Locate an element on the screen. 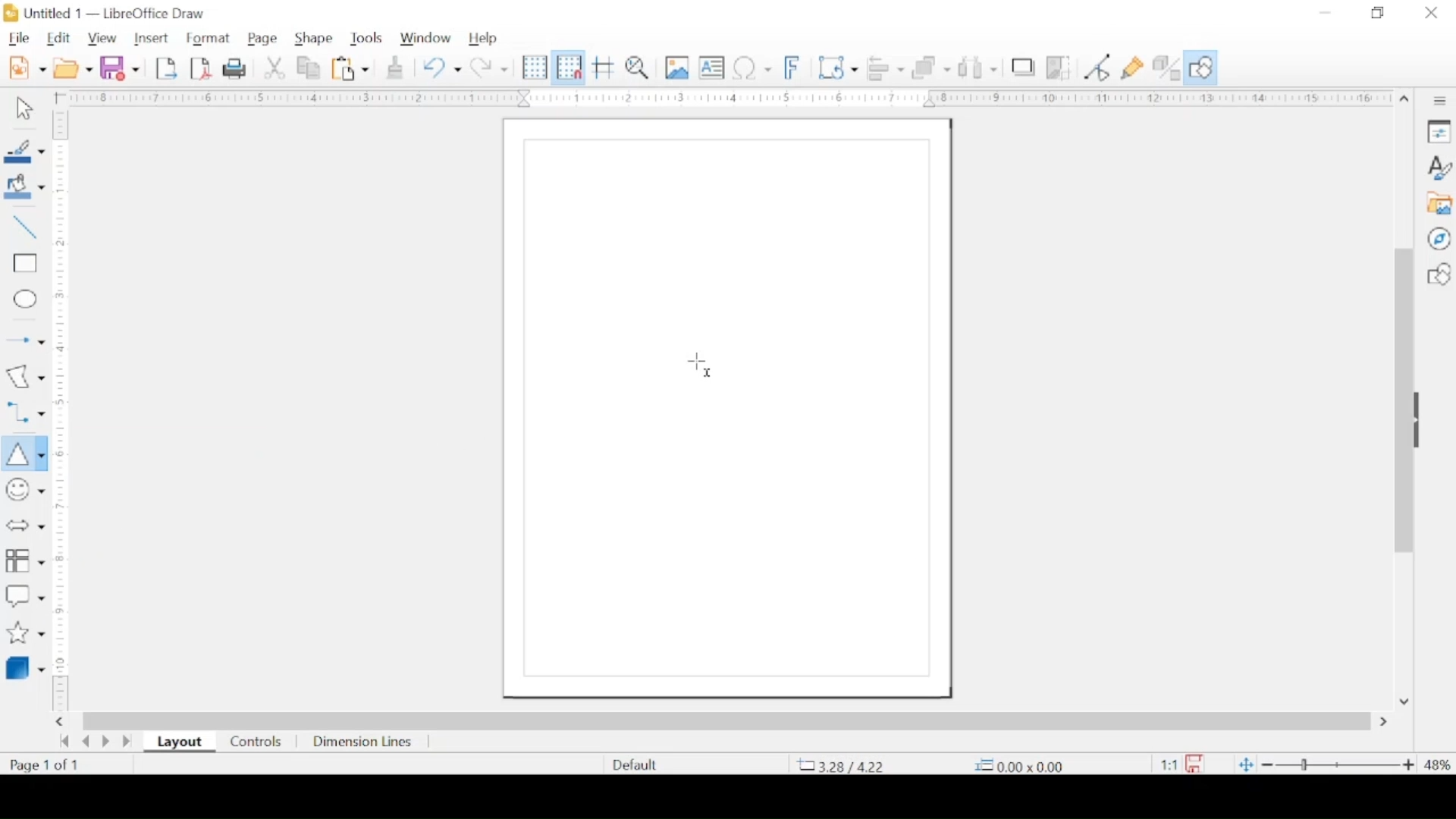  scroll box is located at coordinates (728, 719).